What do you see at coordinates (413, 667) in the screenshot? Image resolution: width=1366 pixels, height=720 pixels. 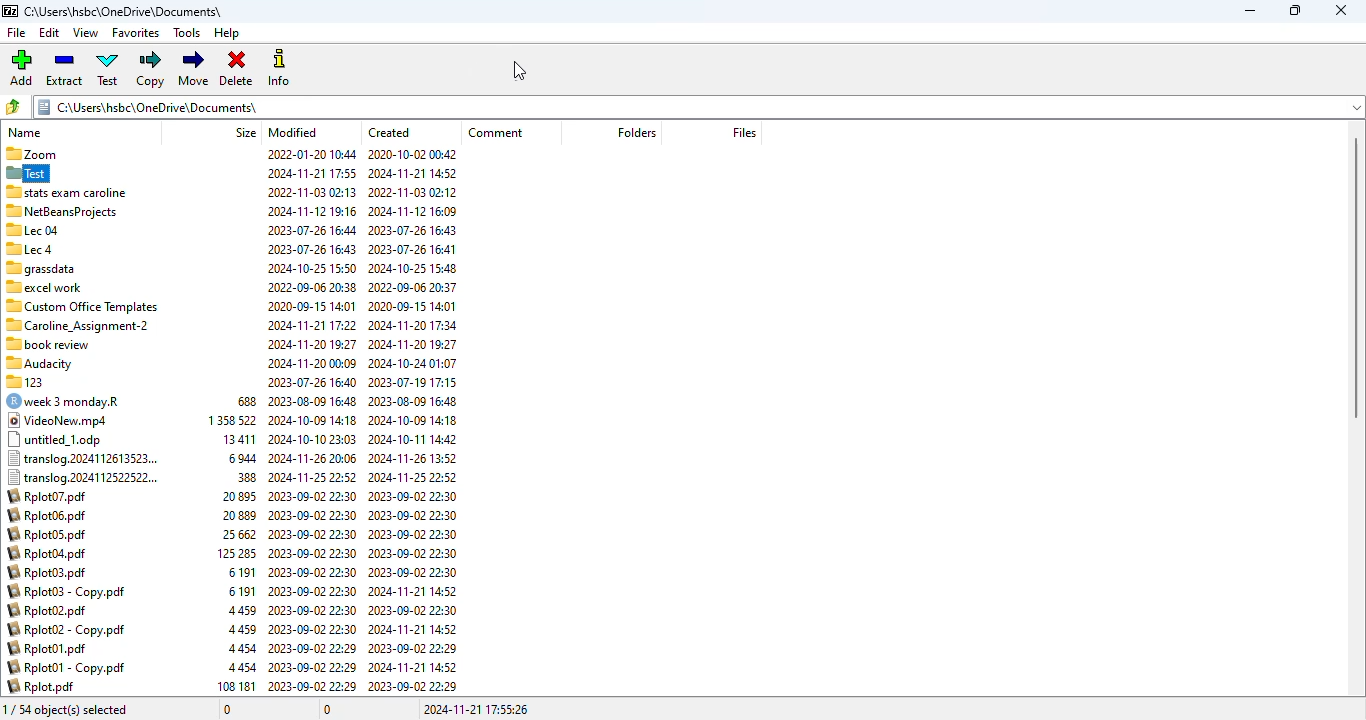 I see `2024-11-21 14:52` at bounding box center [413, 667].